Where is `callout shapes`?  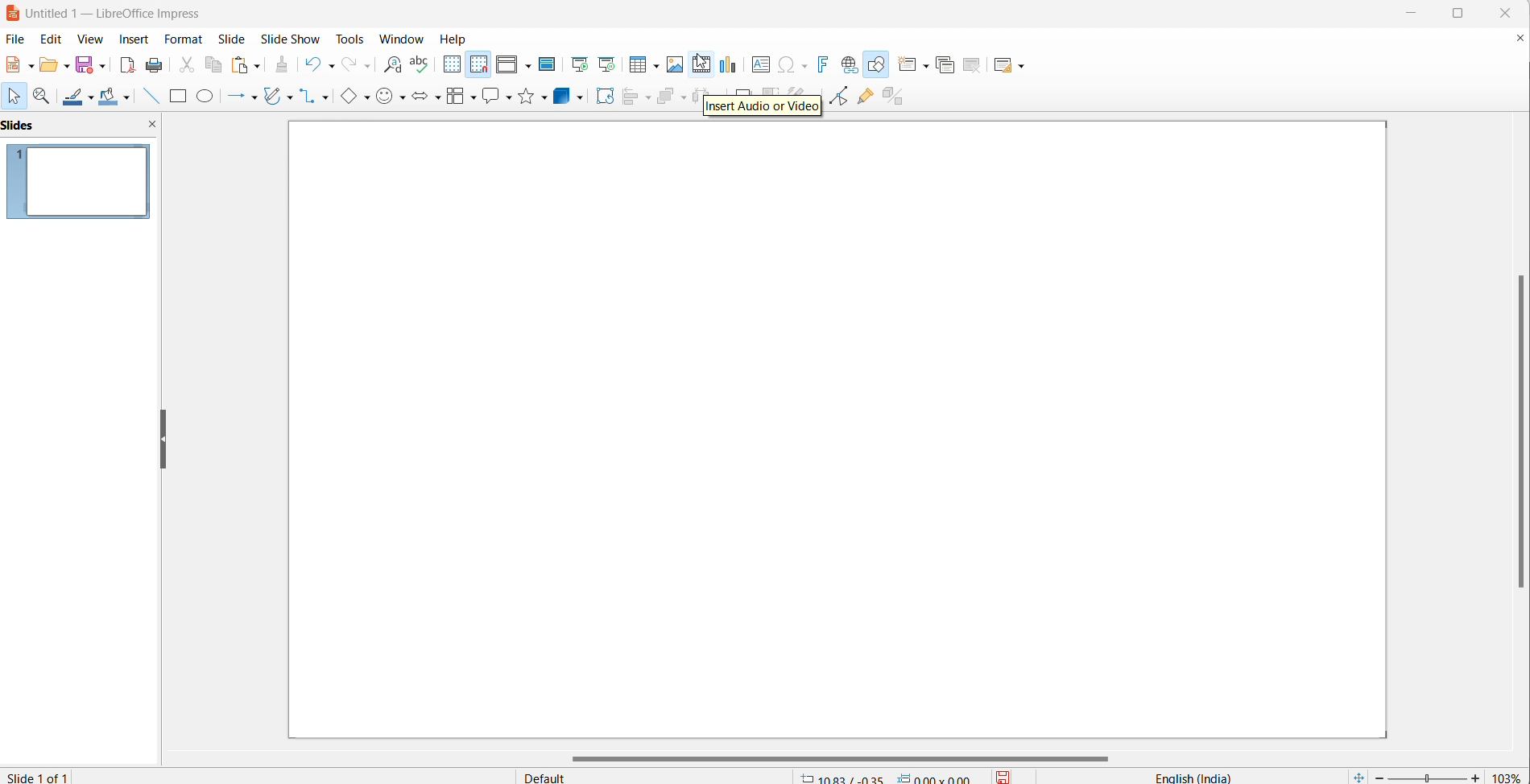
callout shapes is located at coordinates (490, 97).